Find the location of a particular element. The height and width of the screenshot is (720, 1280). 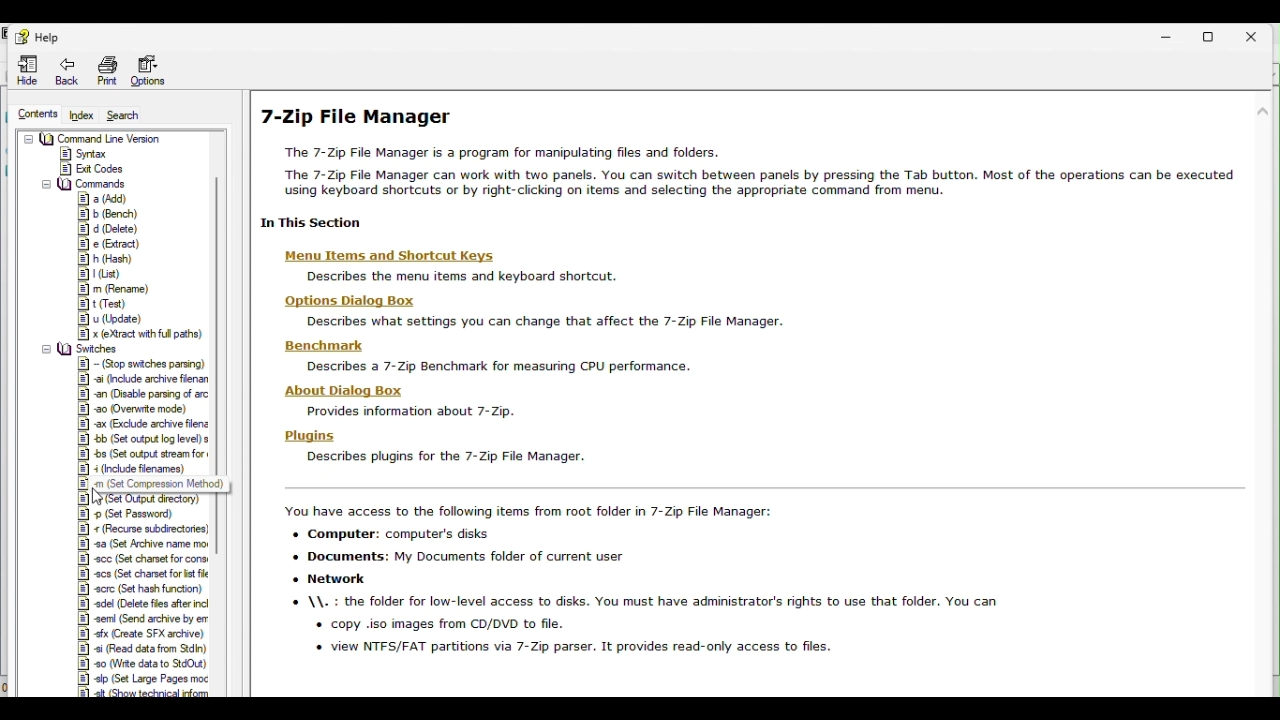

seml is located at coordinates (143, 620).